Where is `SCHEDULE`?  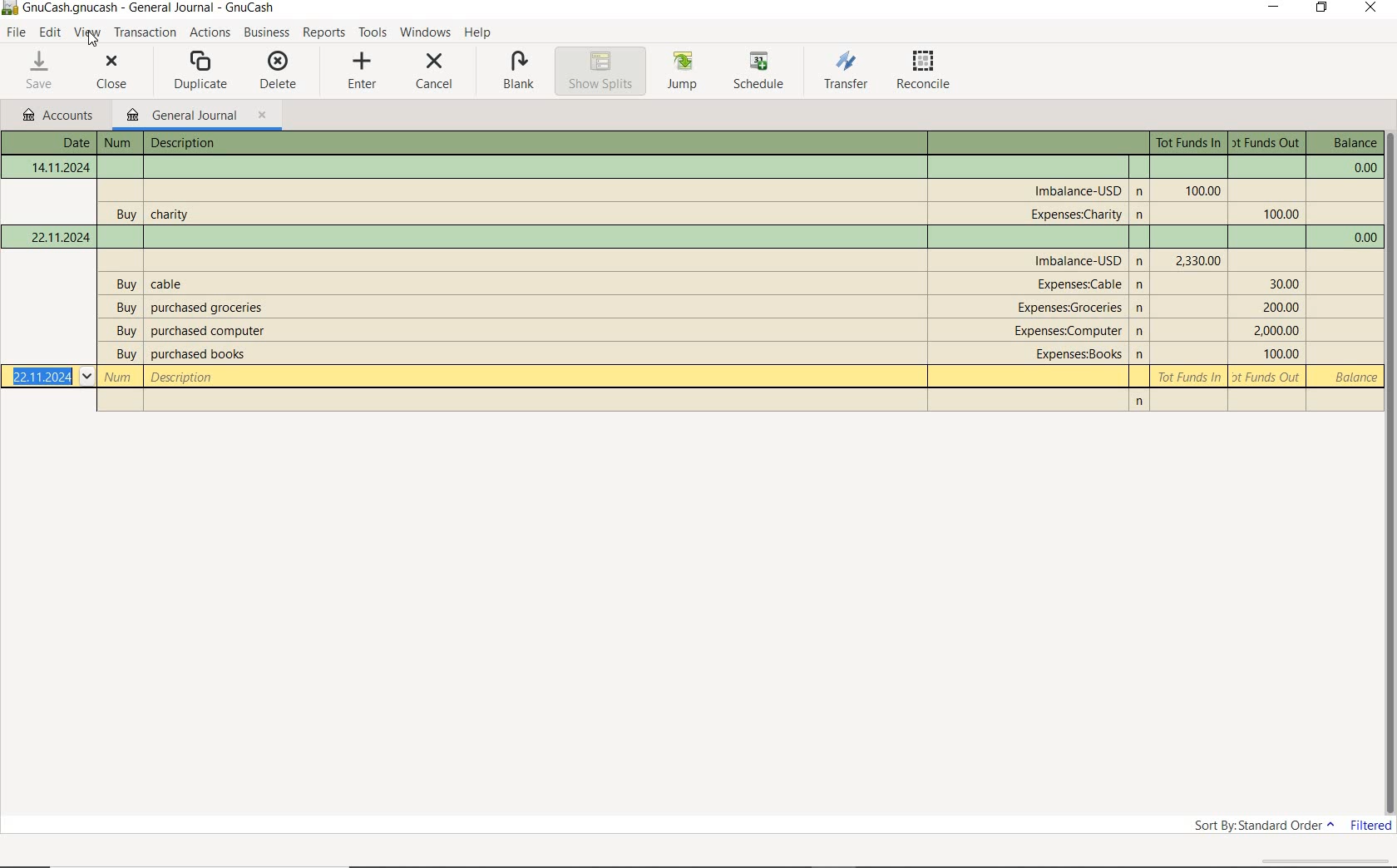 SCHEDULE is located at coordinates (761, 72).